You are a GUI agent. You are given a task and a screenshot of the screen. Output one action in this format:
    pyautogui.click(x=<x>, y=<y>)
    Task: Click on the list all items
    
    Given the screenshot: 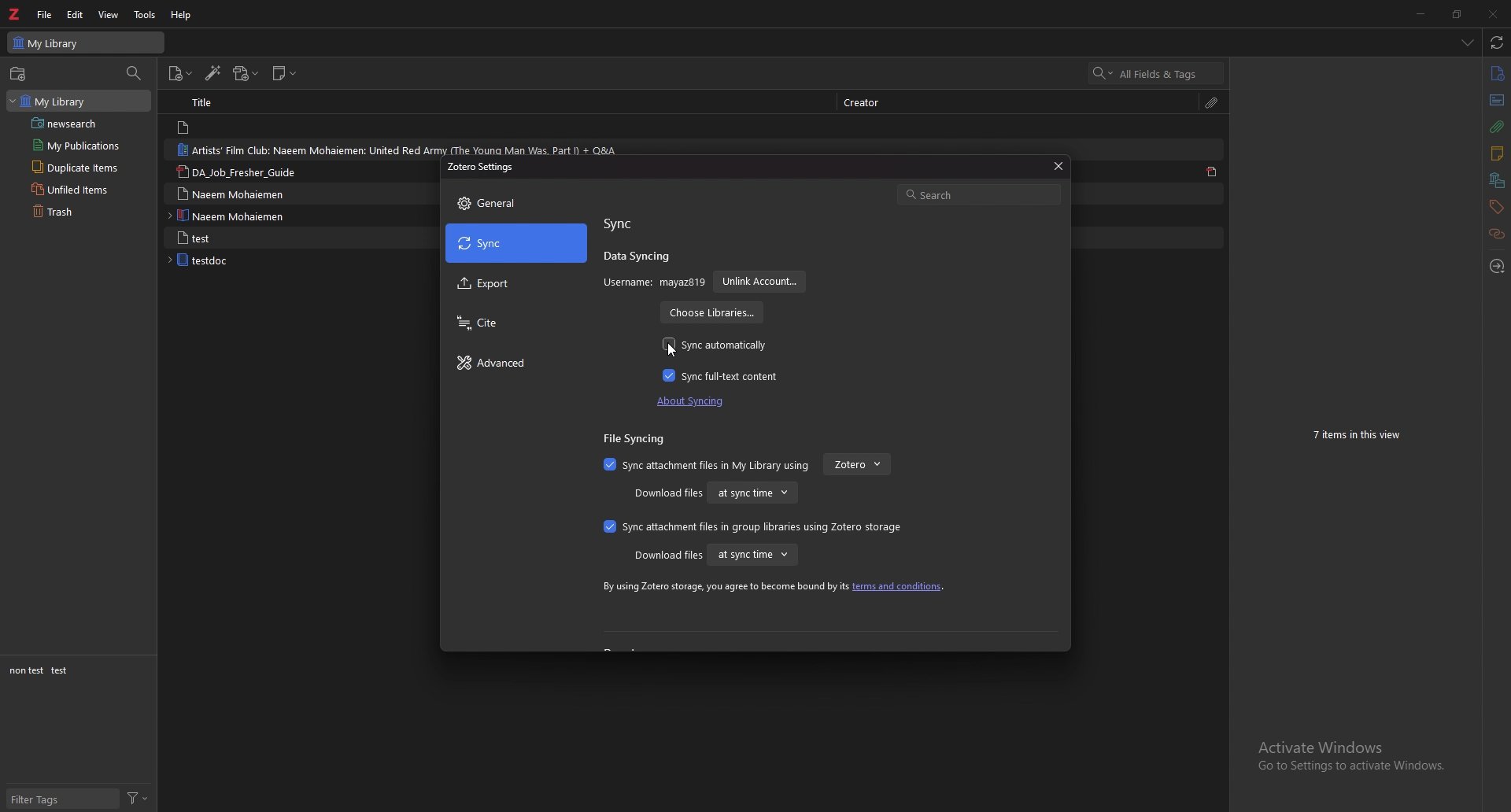 What is the action you would take?
    pyautogui.click(x=1467, y=42)
    